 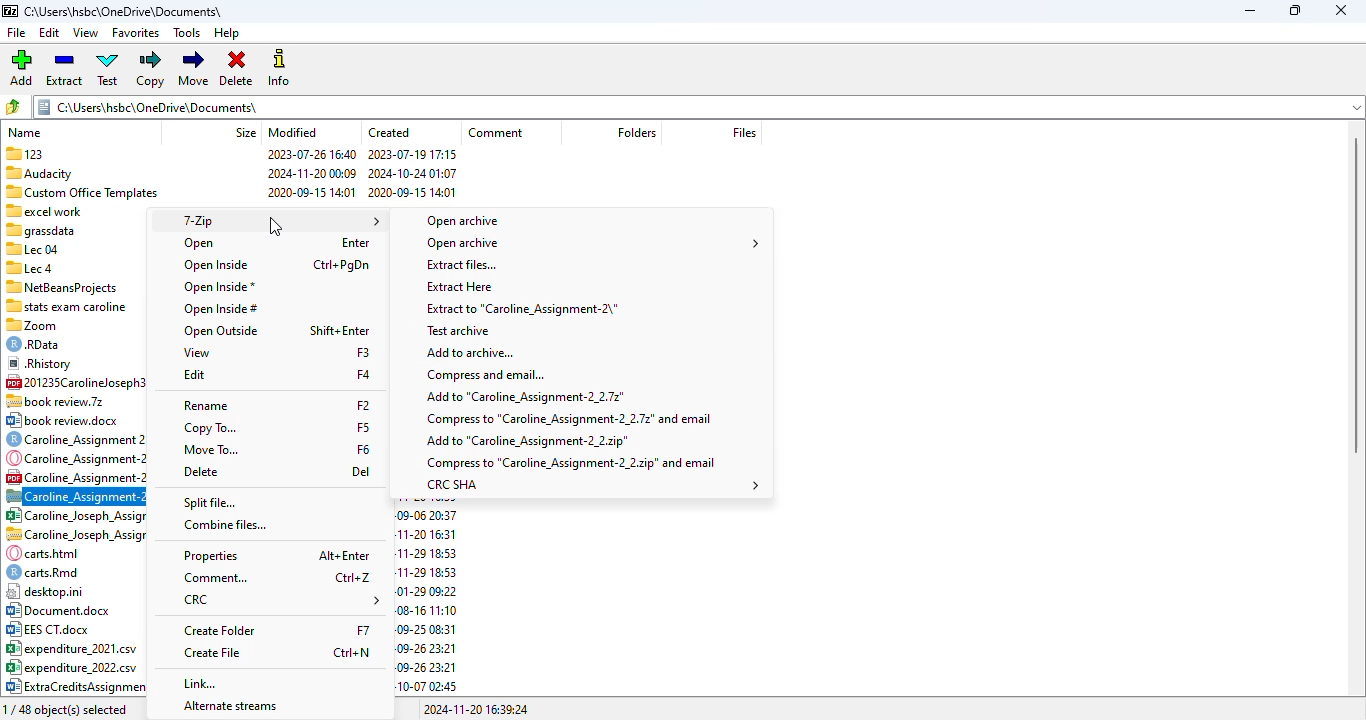 I want to click on test, so click(x=108, y=68).